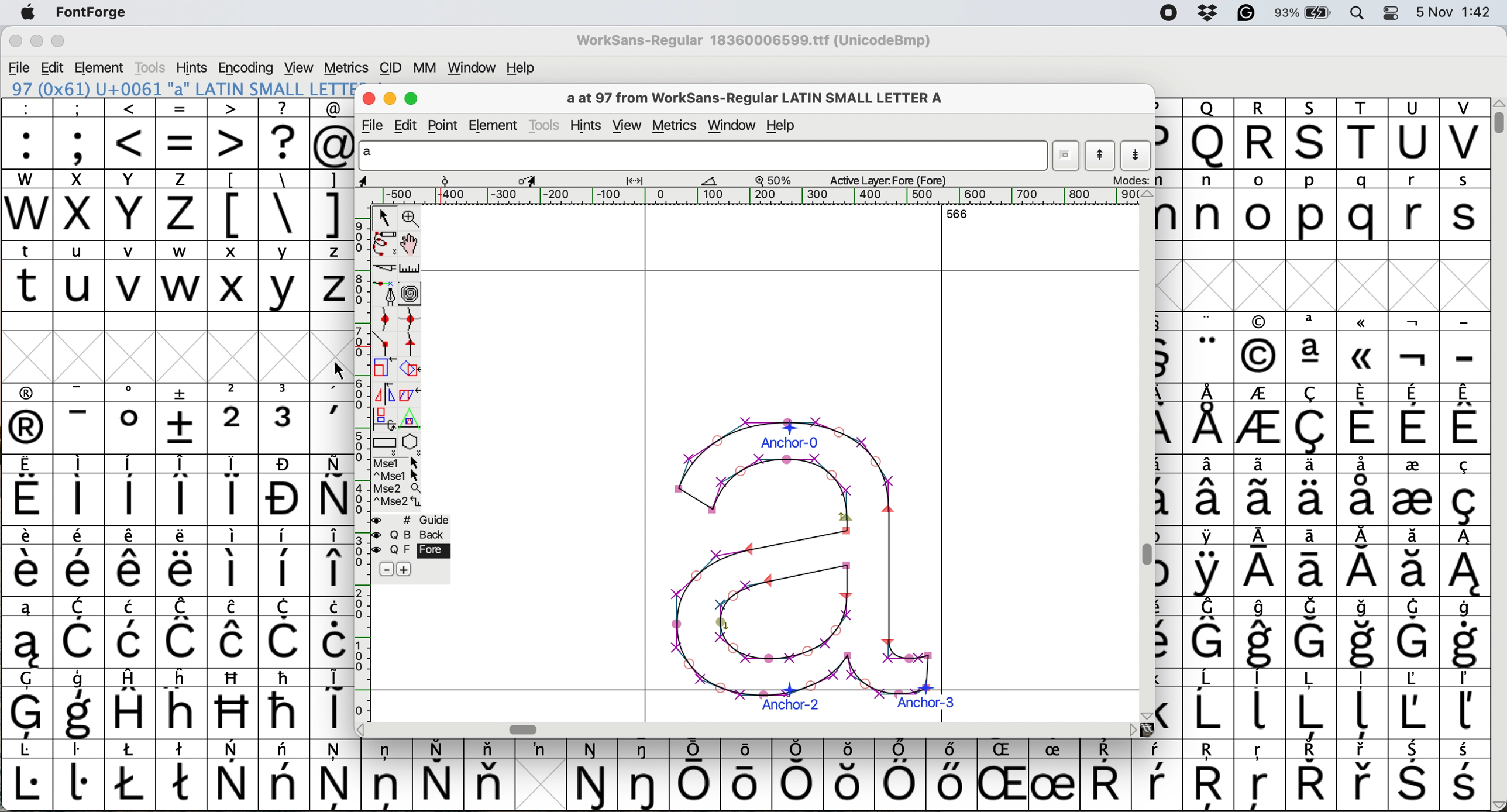  What do you see at coordinates (283, 205) in the screenshot?
I see `\` at bounding box center [283, 205].